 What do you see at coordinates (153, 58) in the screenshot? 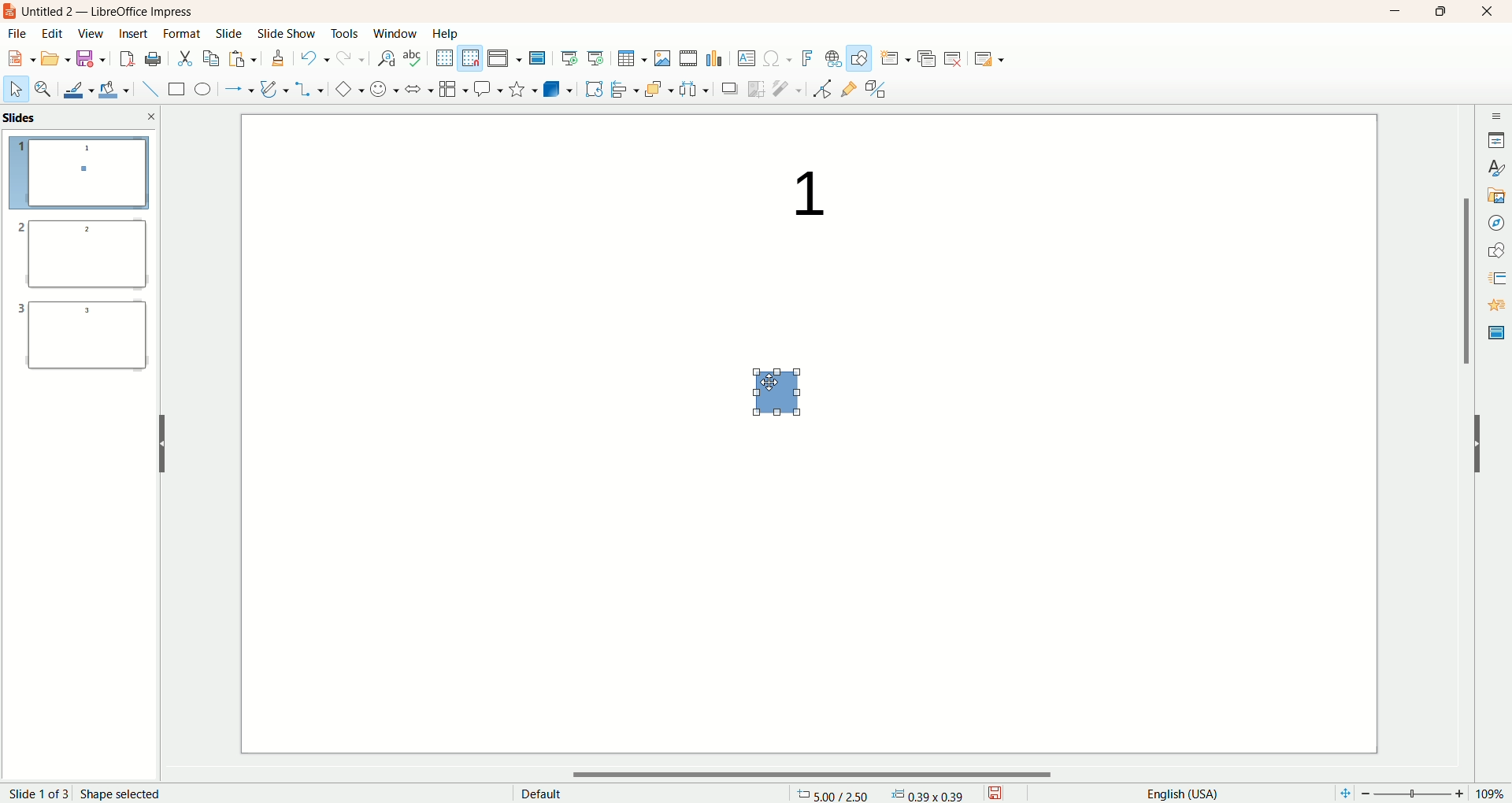
I see `print` at bounding box center [153, 58].